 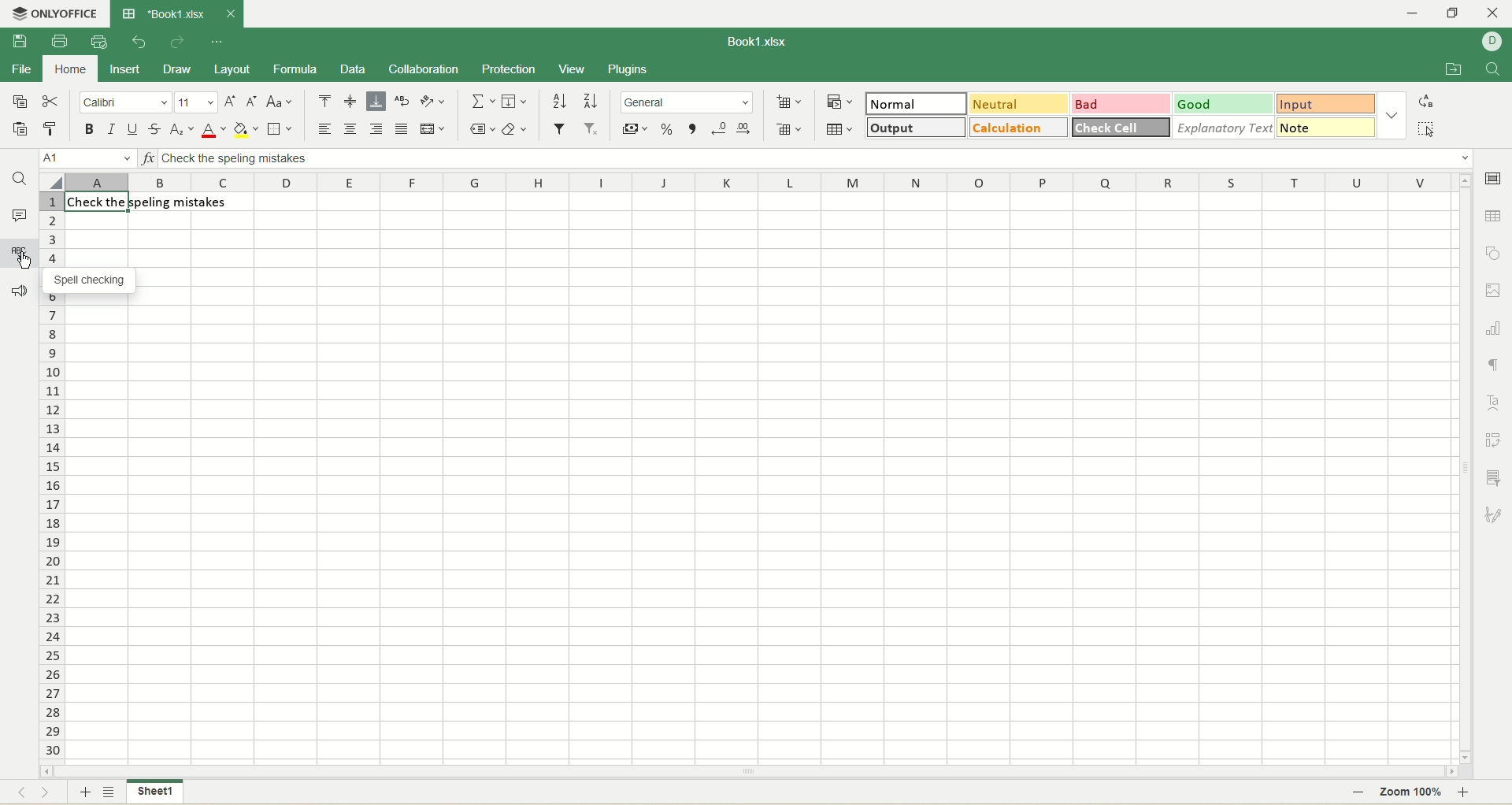 I want to click on formula, so click(x=295, y=69).